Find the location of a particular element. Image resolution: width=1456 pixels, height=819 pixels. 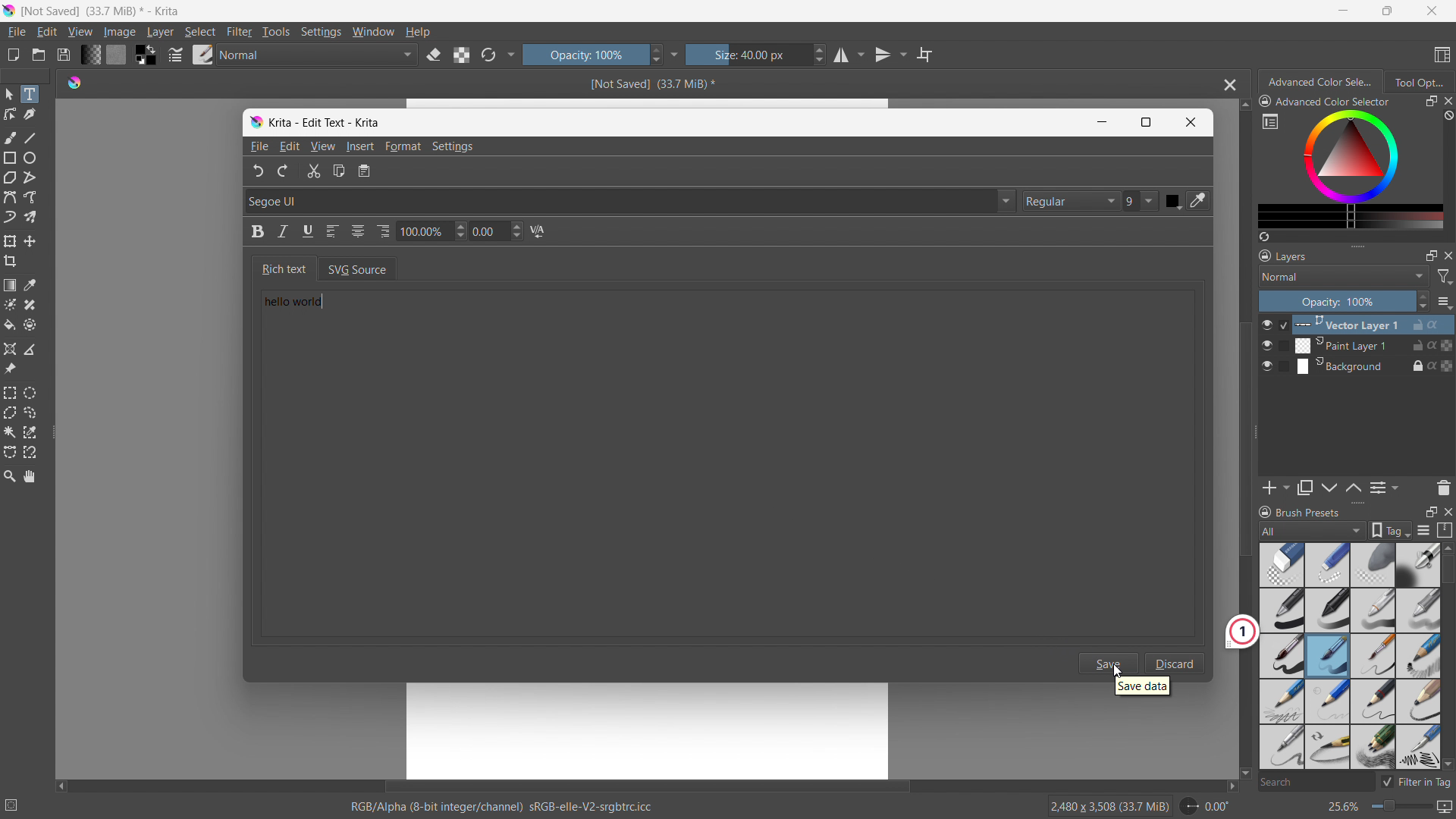

Maximize is located at coordinates (1147, 122).